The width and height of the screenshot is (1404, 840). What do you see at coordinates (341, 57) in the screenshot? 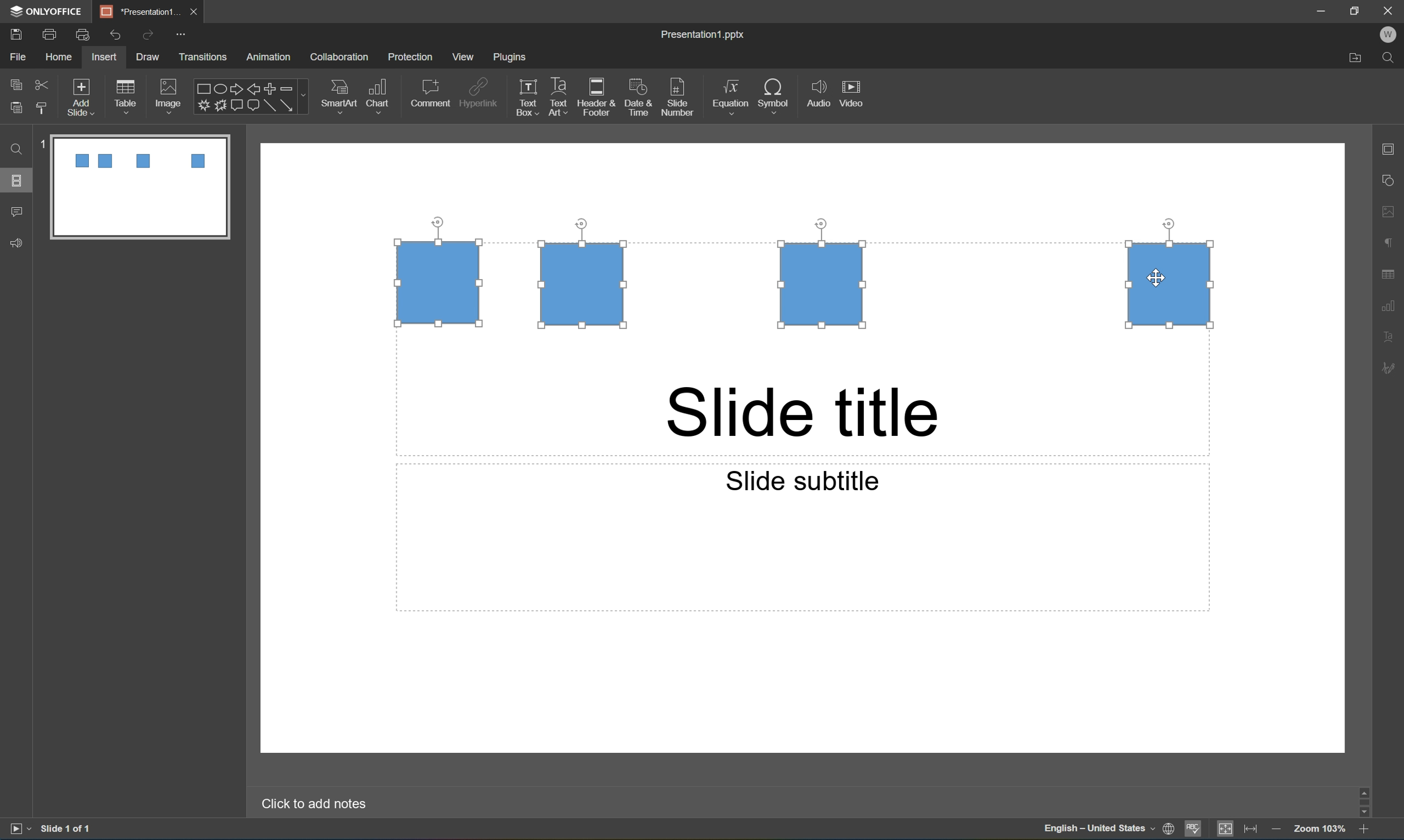
I see `collaboration` at bounding box center [341, 57].